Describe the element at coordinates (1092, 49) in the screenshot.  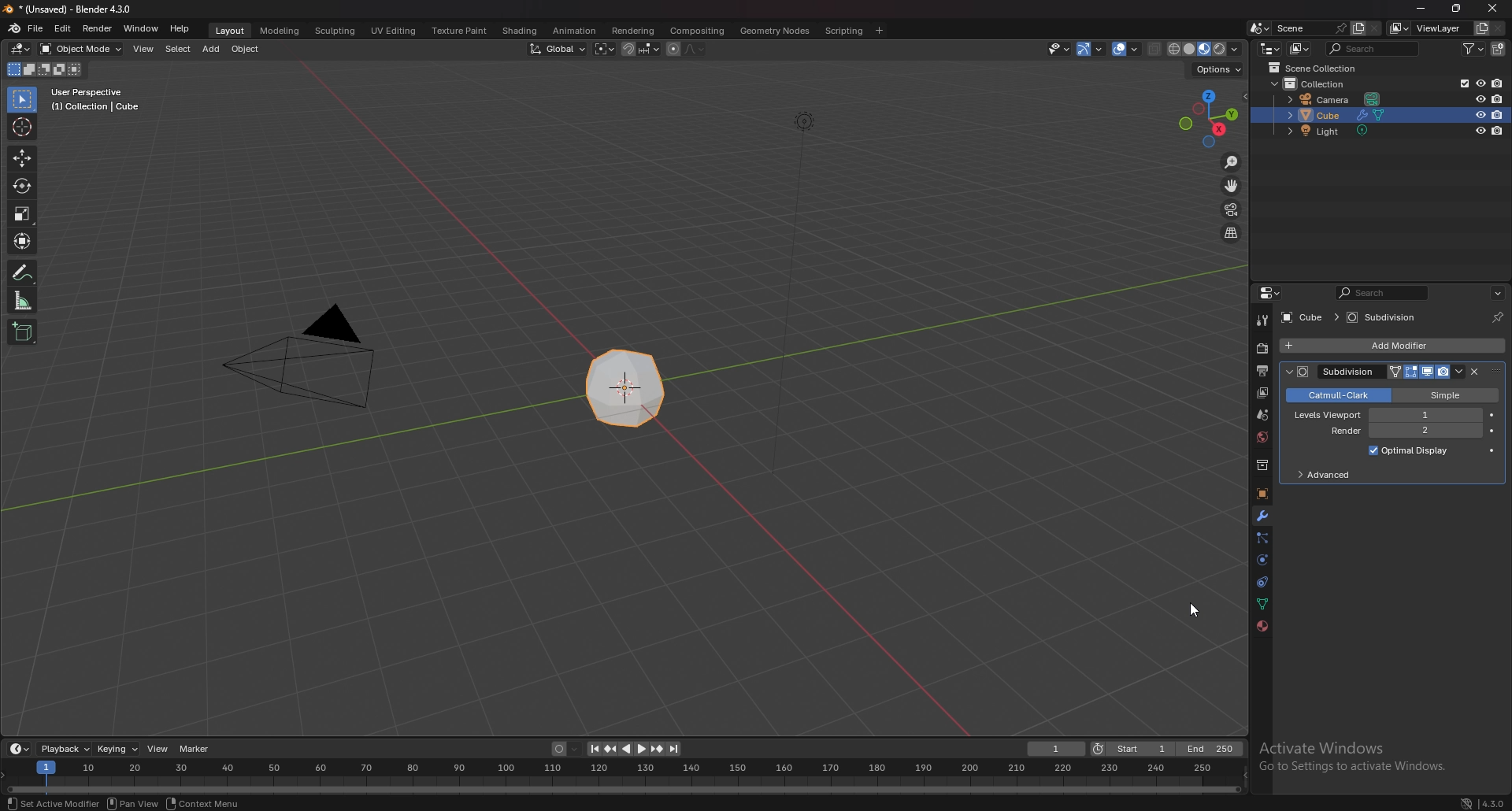
I see `gizmo` at that location.